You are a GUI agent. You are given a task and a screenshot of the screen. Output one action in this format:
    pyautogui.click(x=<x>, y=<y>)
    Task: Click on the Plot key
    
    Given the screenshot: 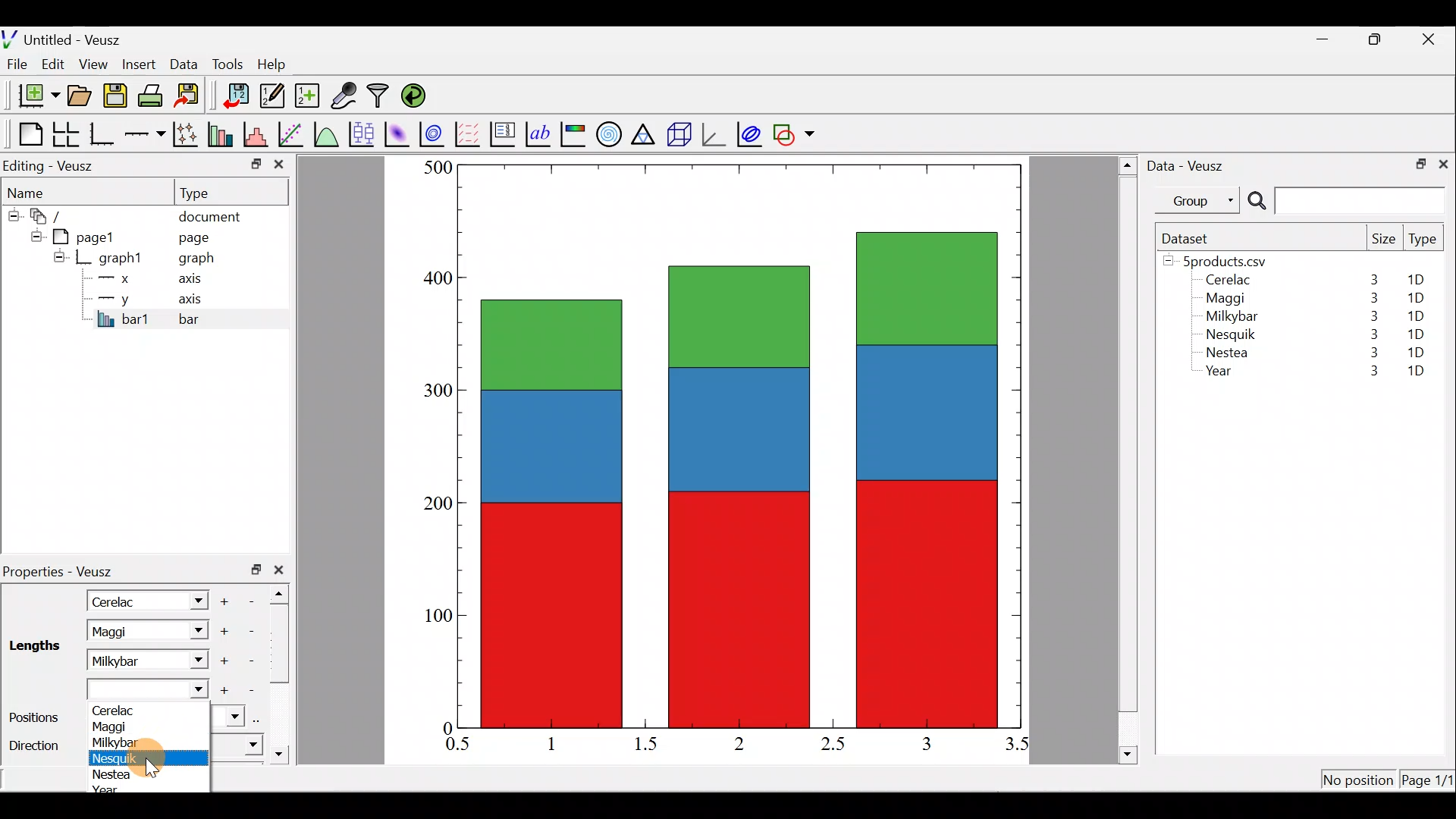 What is the action you would take?
    pyautogui.click(x=504, y=133)
    